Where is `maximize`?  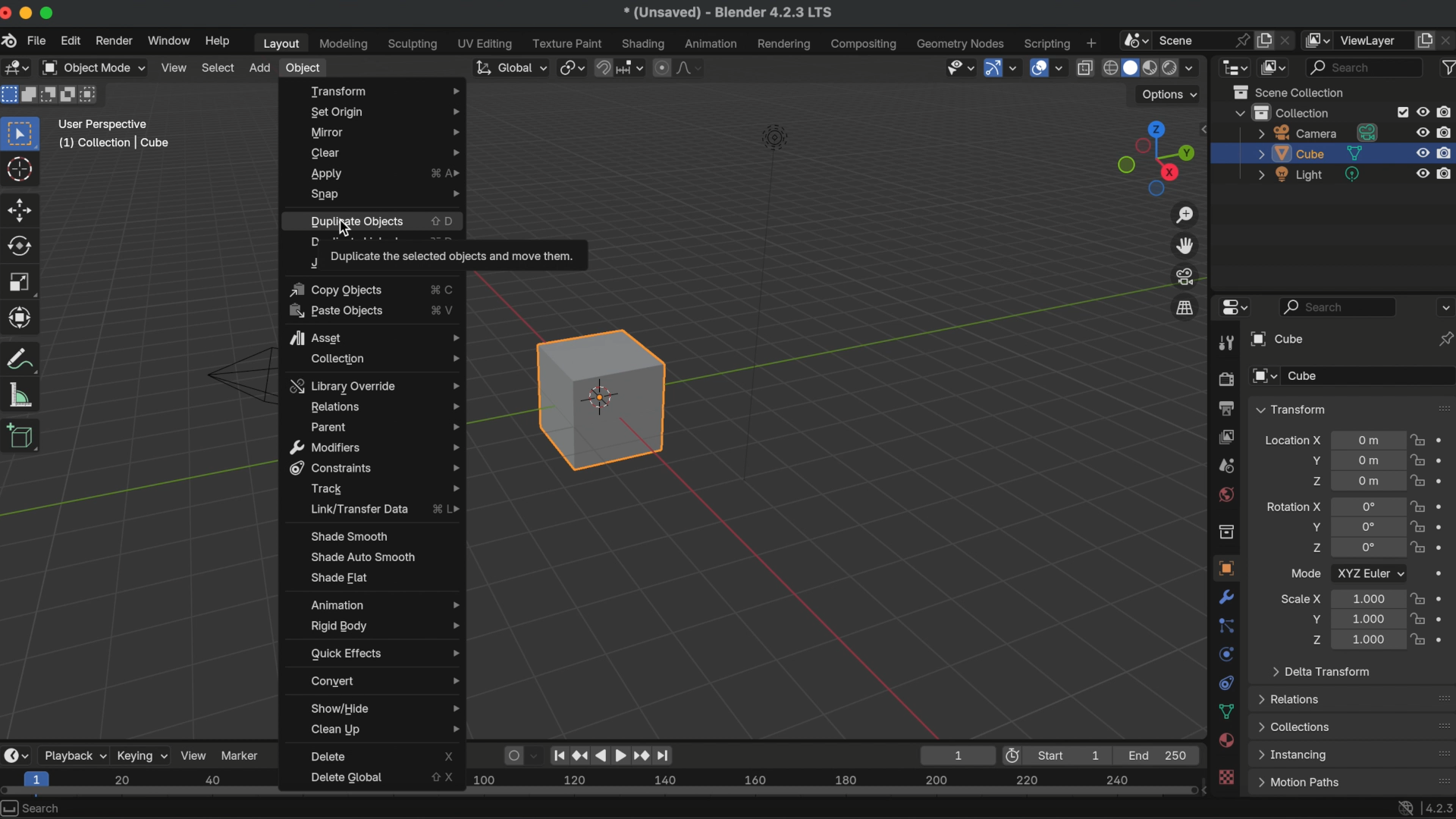
maximize is located at coordinates (49, 12).